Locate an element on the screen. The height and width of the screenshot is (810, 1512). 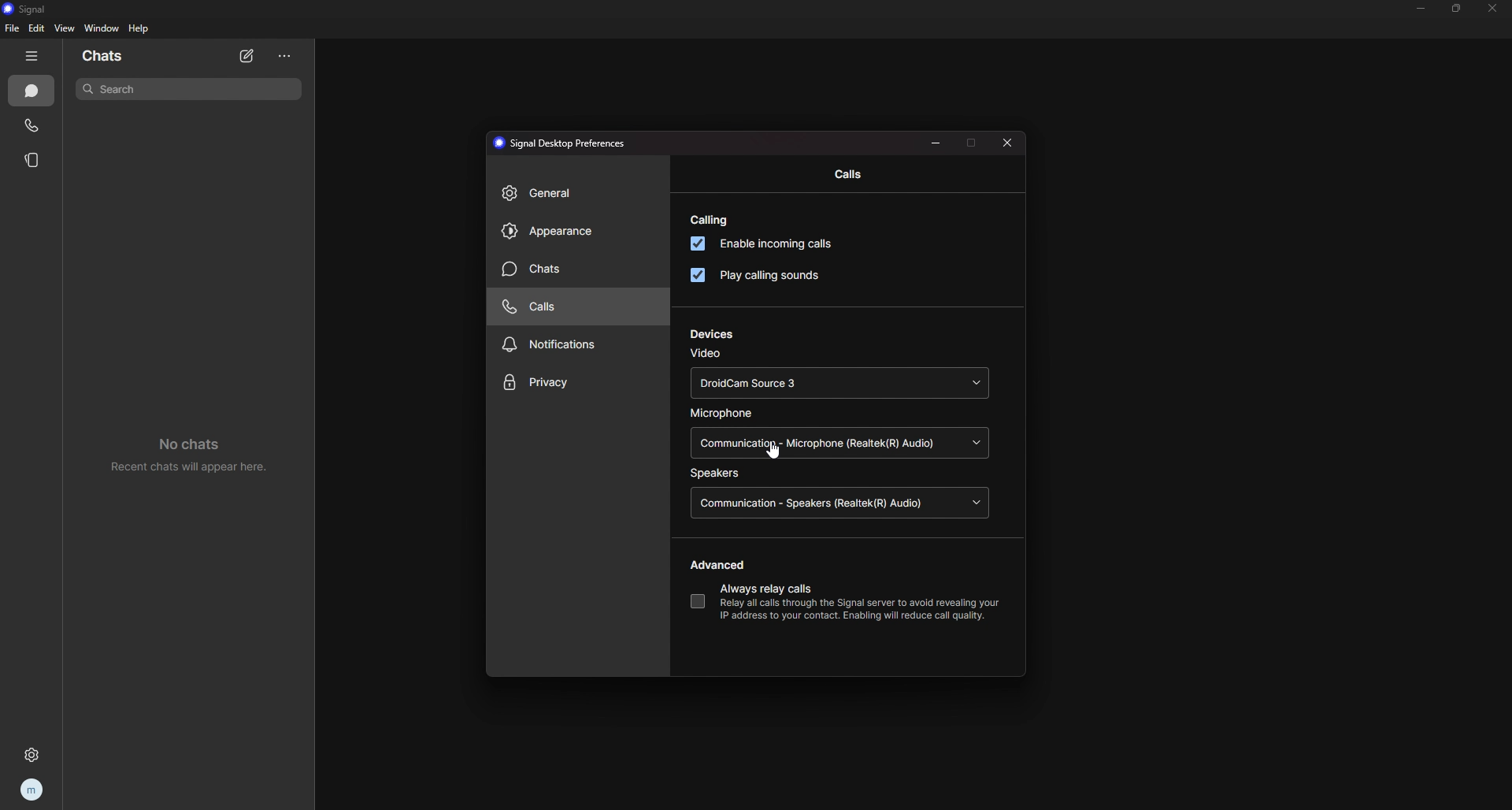
chats is located at coordinates (128, 54).